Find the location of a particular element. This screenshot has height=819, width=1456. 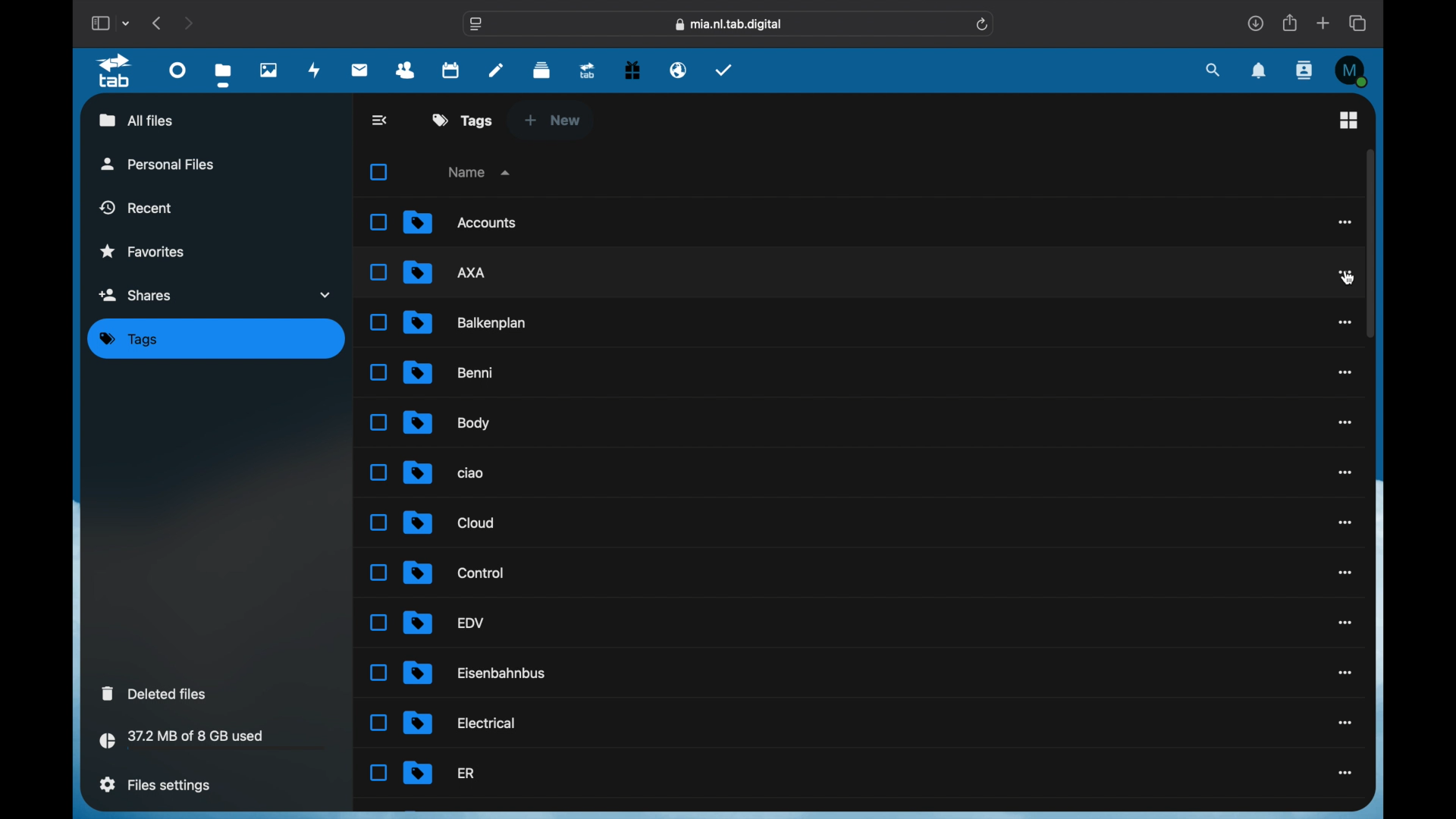

notifications is located at coordinates (1260, 71).